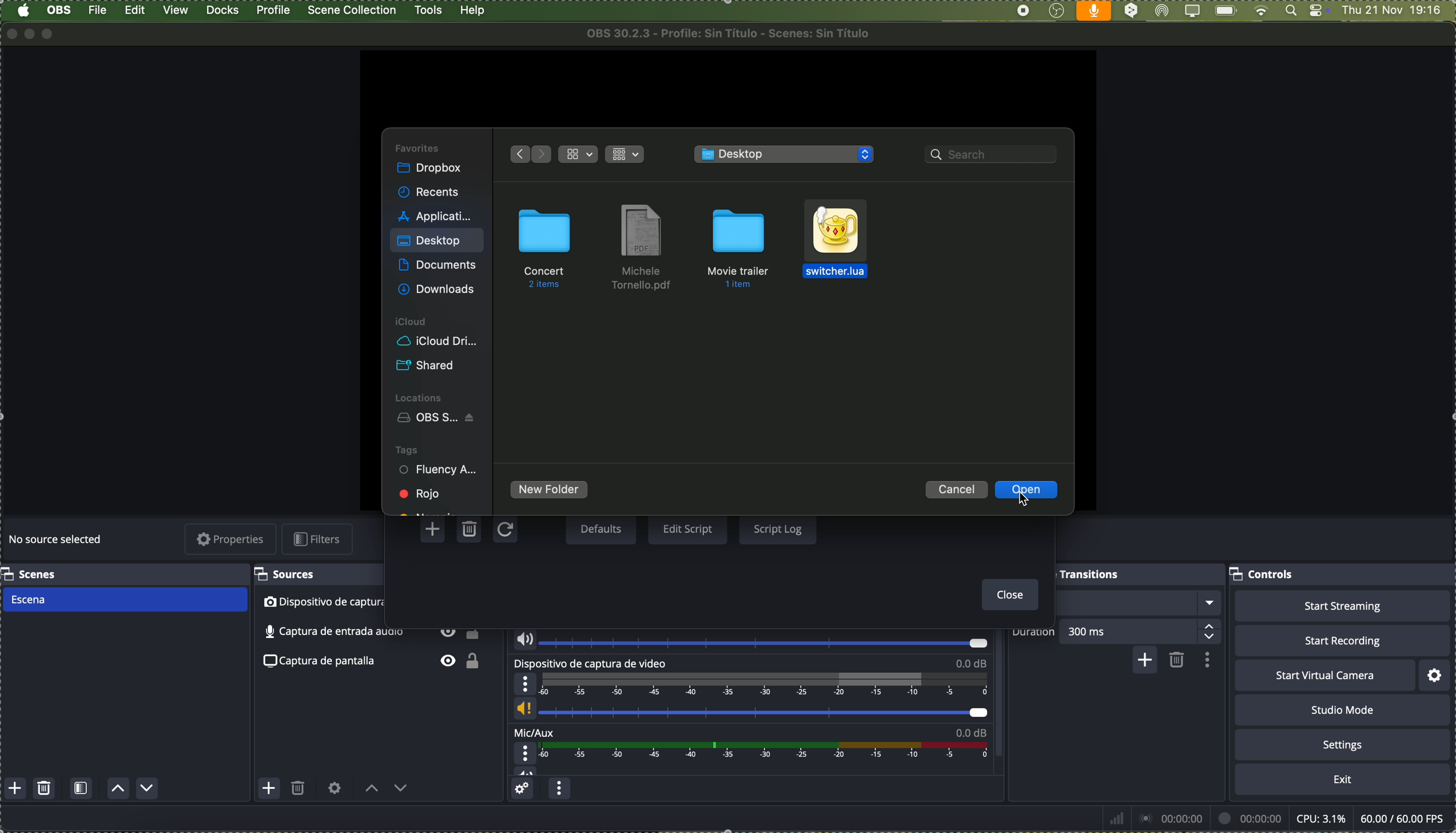 The height and width of the screenshot is (833, 1456). Describe the element at coordinates (51, 34) in the screenshot. I see `maximize program` at that location.